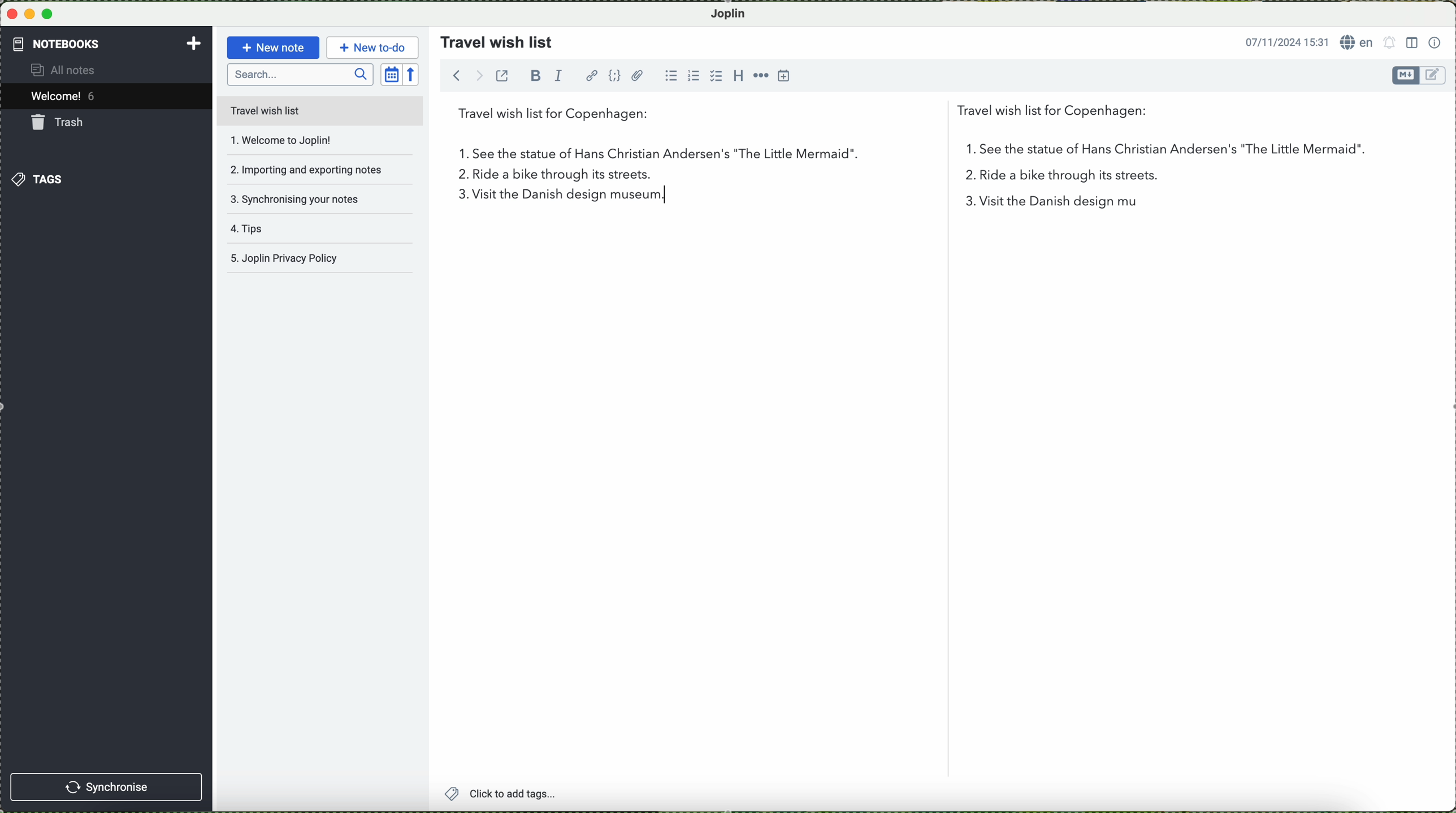  I want to click on heading, so click(736, 75).